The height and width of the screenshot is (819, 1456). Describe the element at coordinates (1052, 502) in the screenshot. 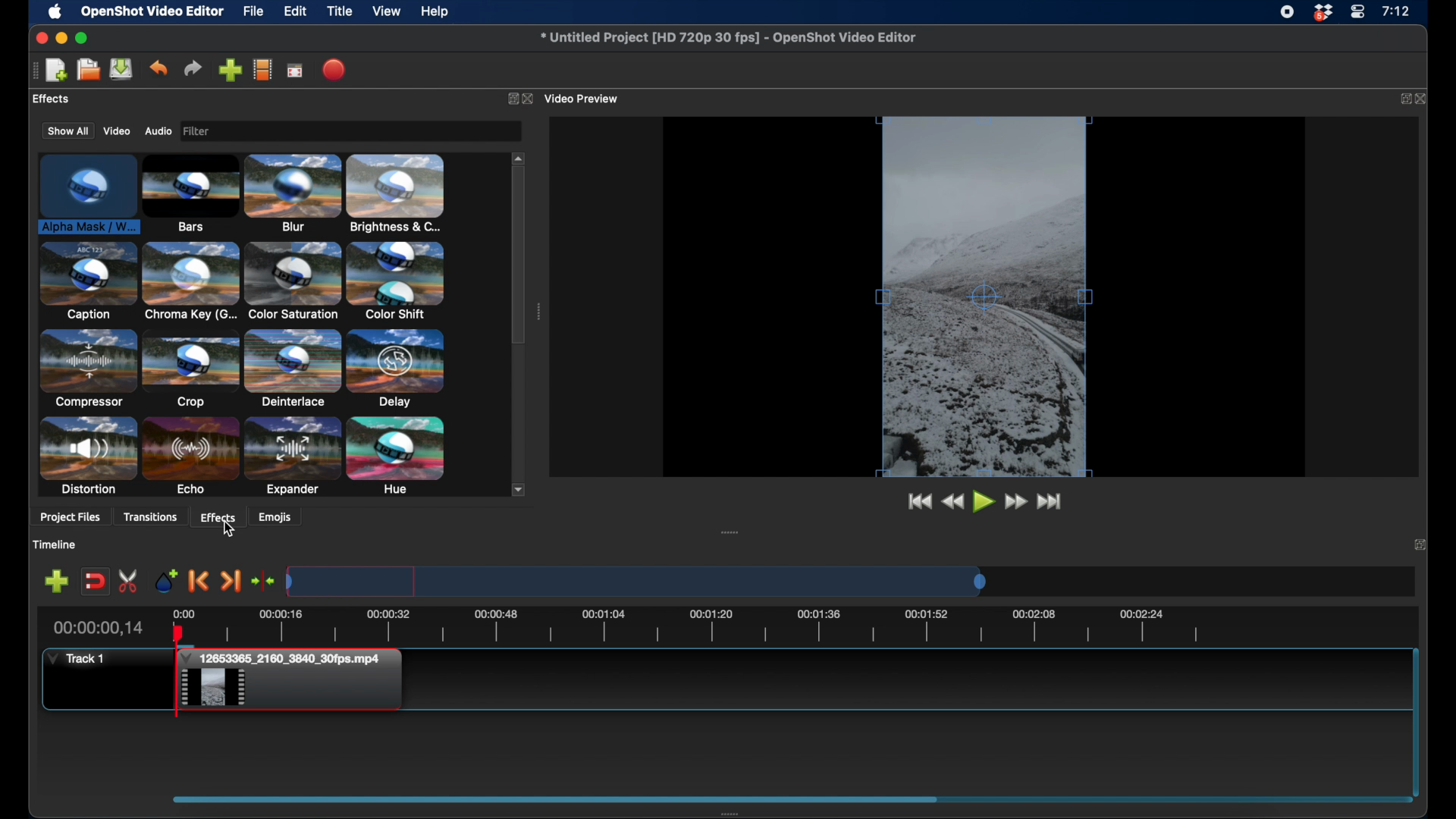

I see `jump to end` at that location.